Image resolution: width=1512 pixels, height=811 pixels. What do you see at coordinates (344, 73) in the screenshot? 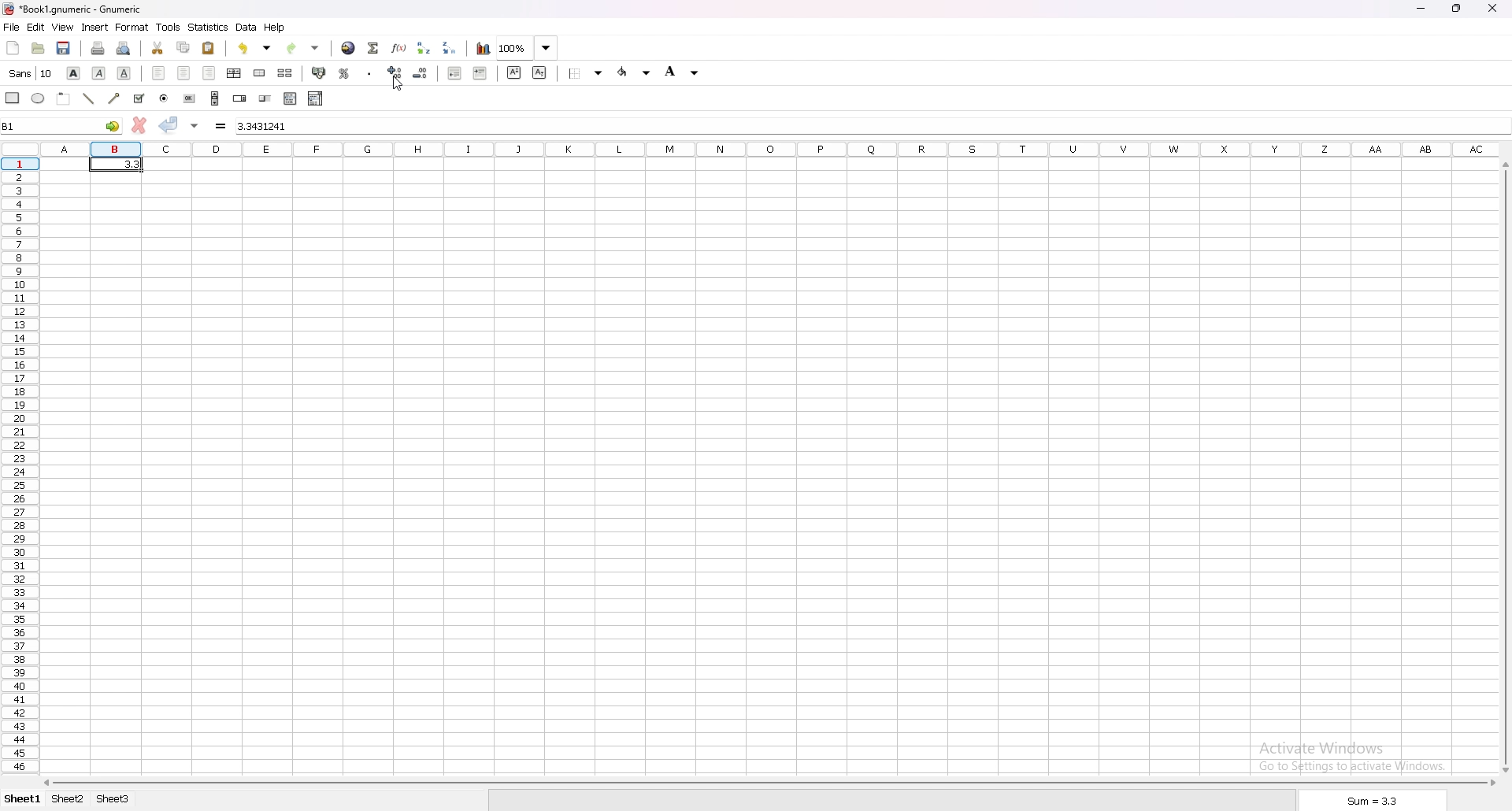
I see `percentage` at bounding box center [344, 73].